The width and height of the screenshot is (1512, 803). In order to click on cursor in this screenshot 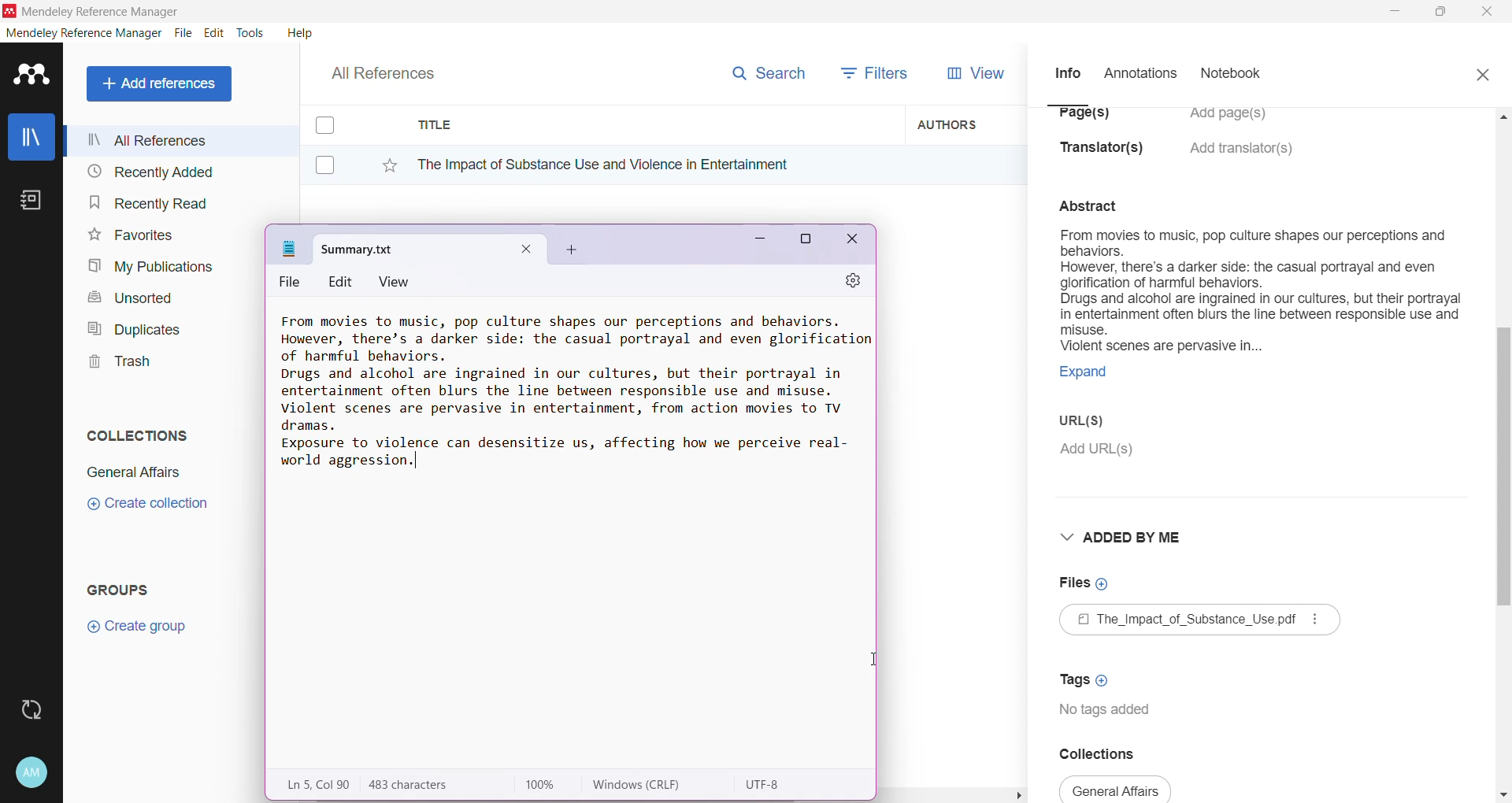, I will do `click(873, 659)`.